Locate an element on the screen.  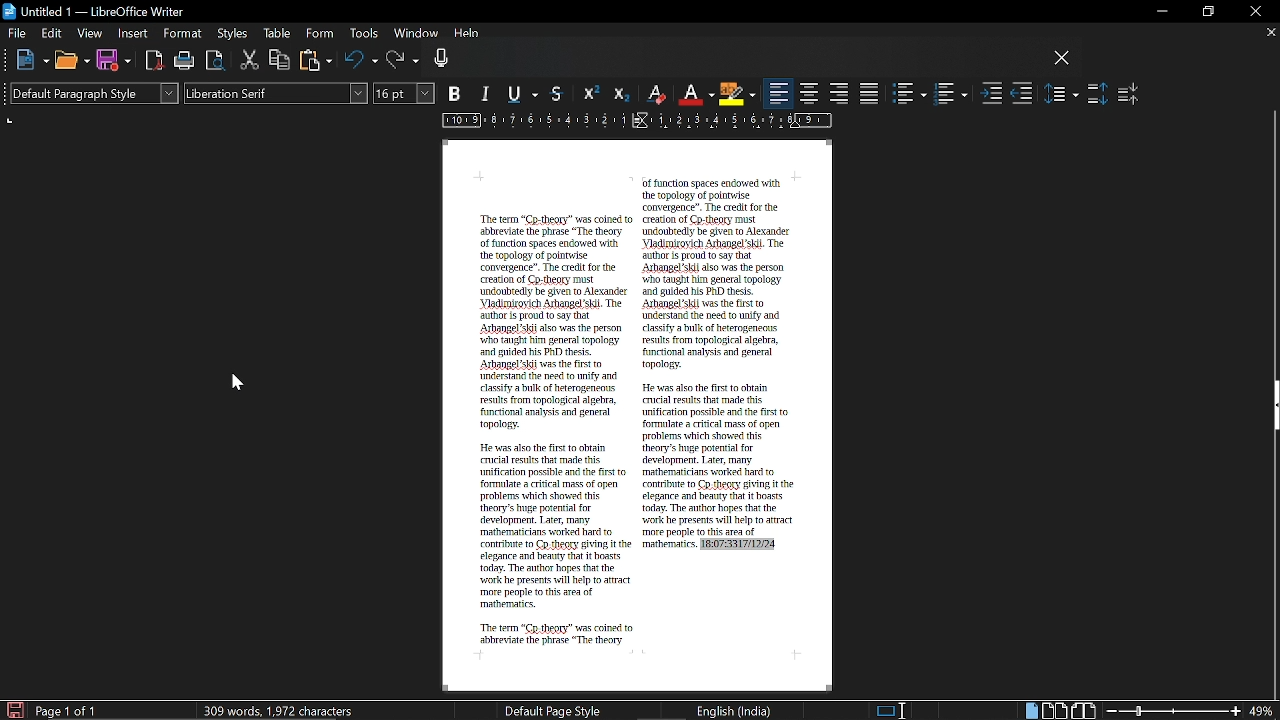
Open is located at coordinates (71, 62).